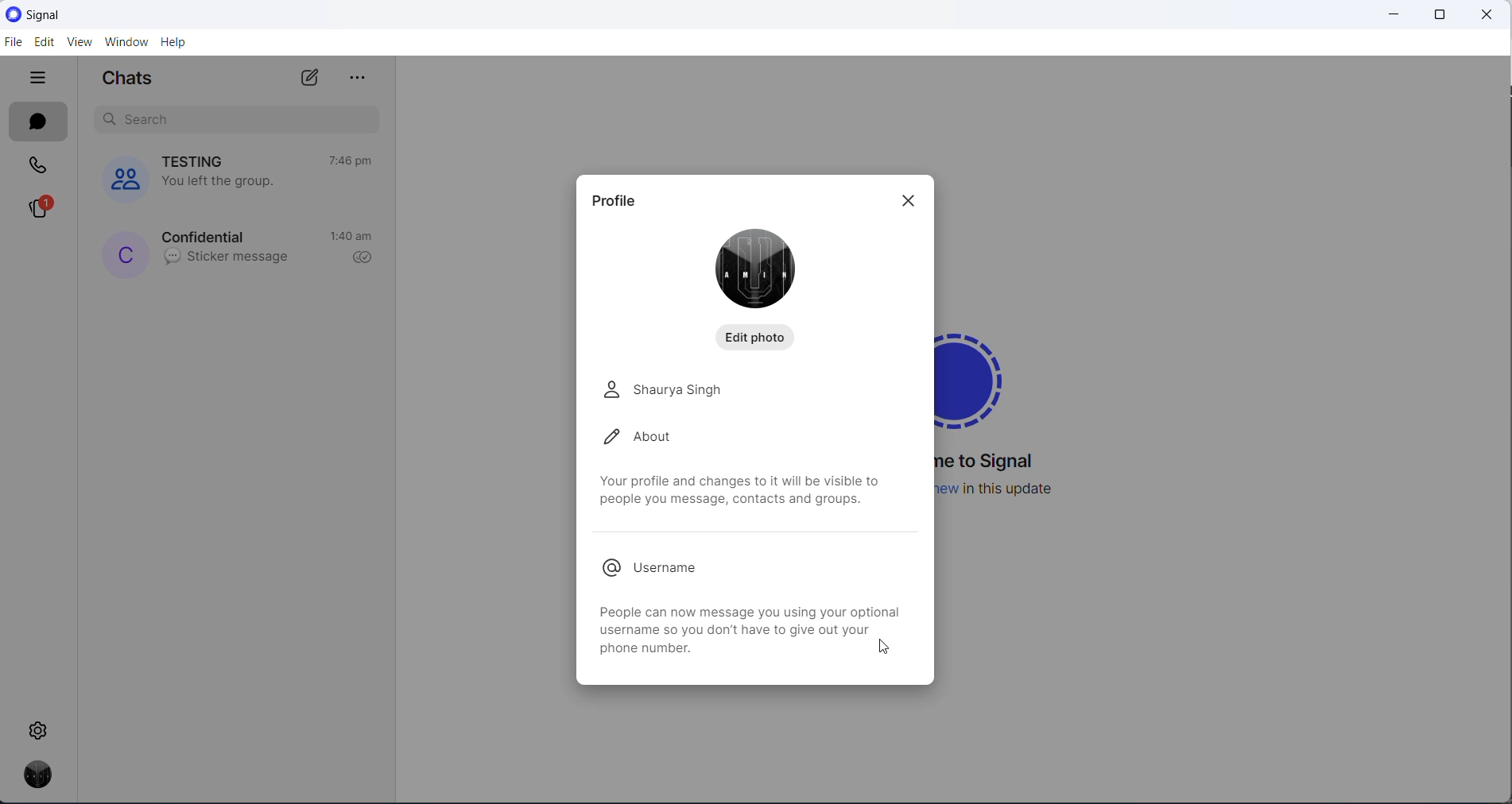  What do you see at coordinates (33, 778) in the screenshot?
I see `profile` at bounding box center [33, 778].